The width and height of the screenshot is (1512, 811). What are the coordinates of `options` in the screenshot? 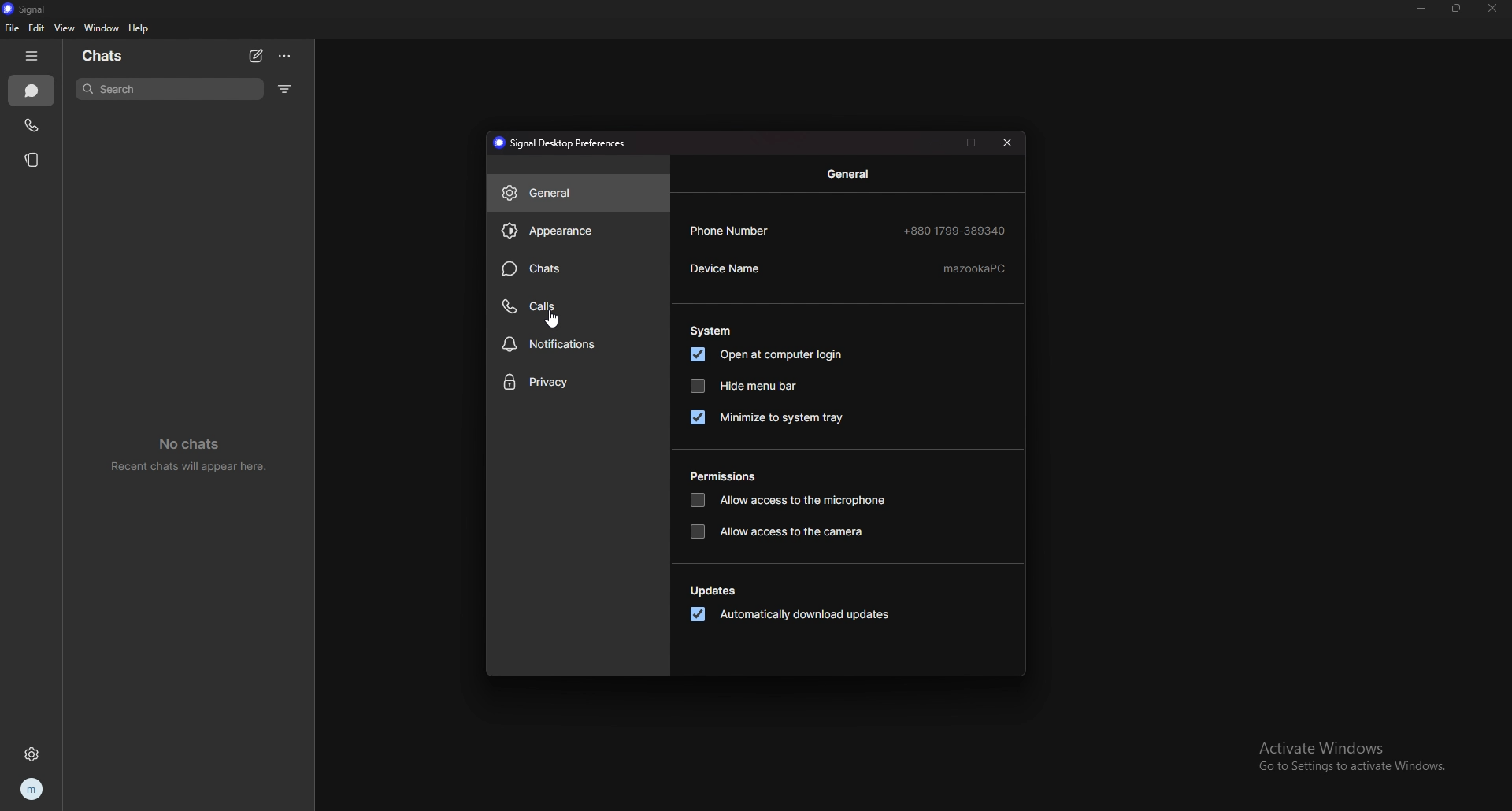 It's located at (286, 57).